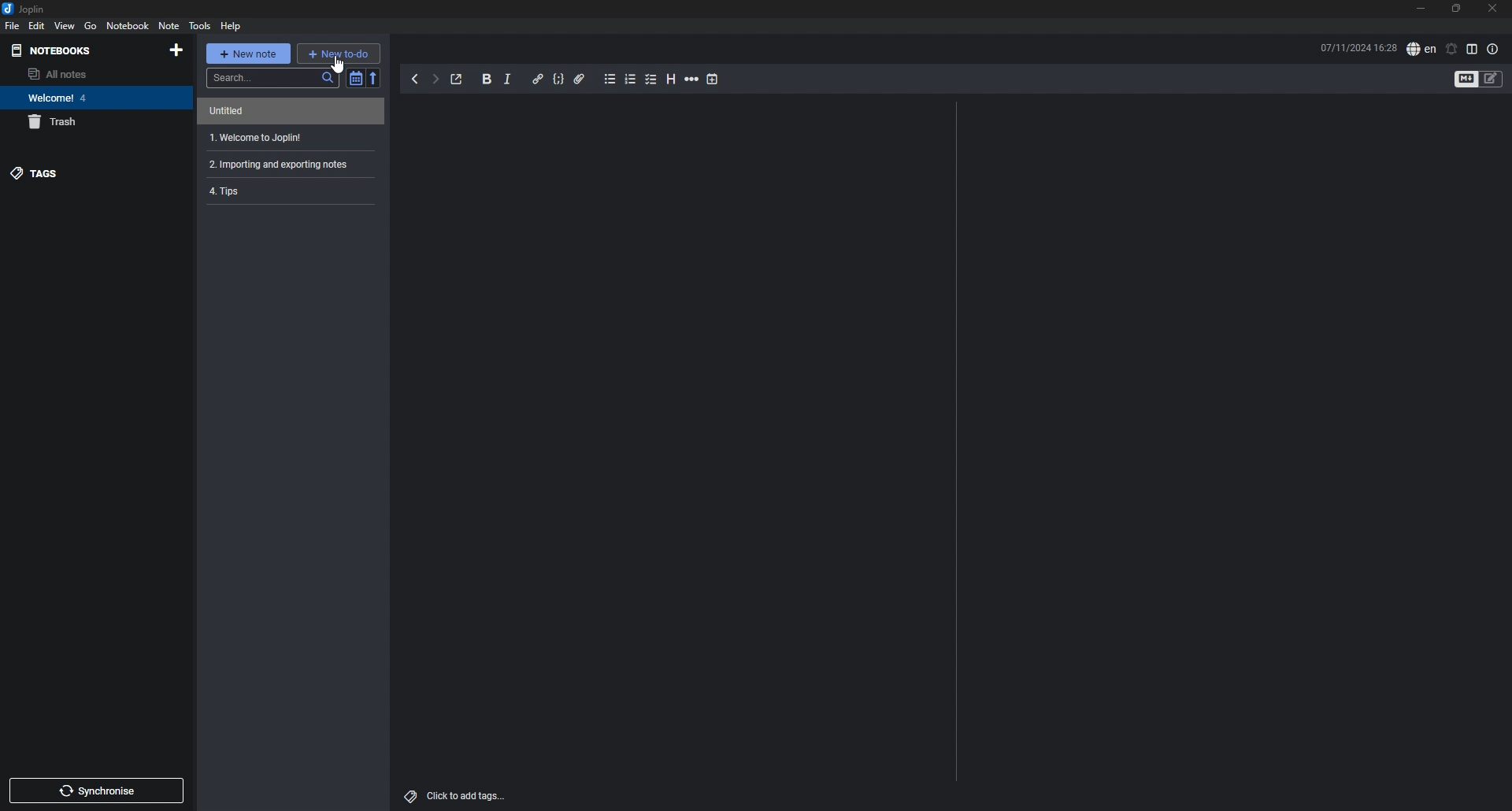 The height and width of the screenshot is (811, 1512). I want to click on resize, so click(1457, 9).